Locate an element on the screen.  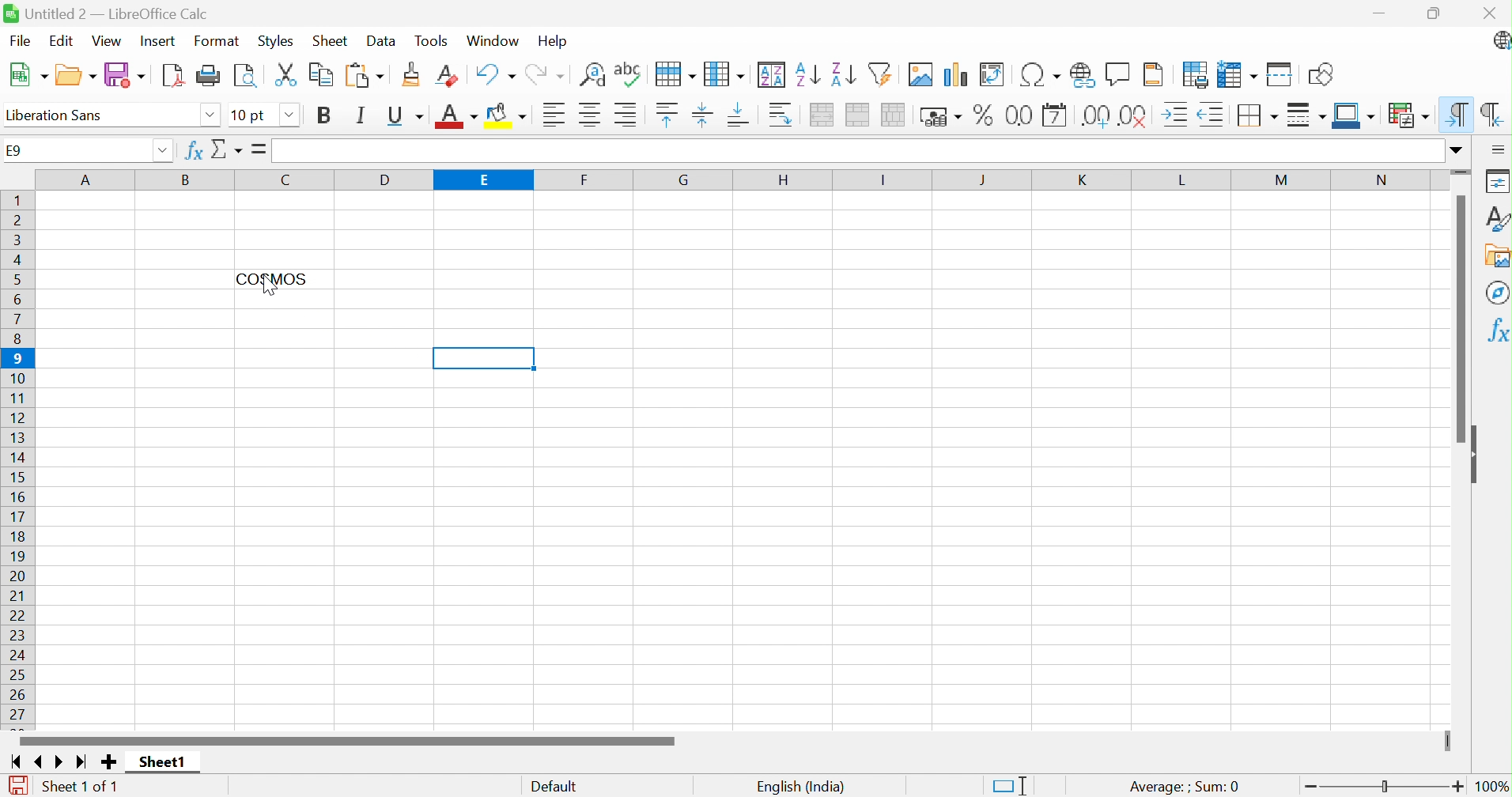
Show draw functions is located at coordinates (1321, 75).